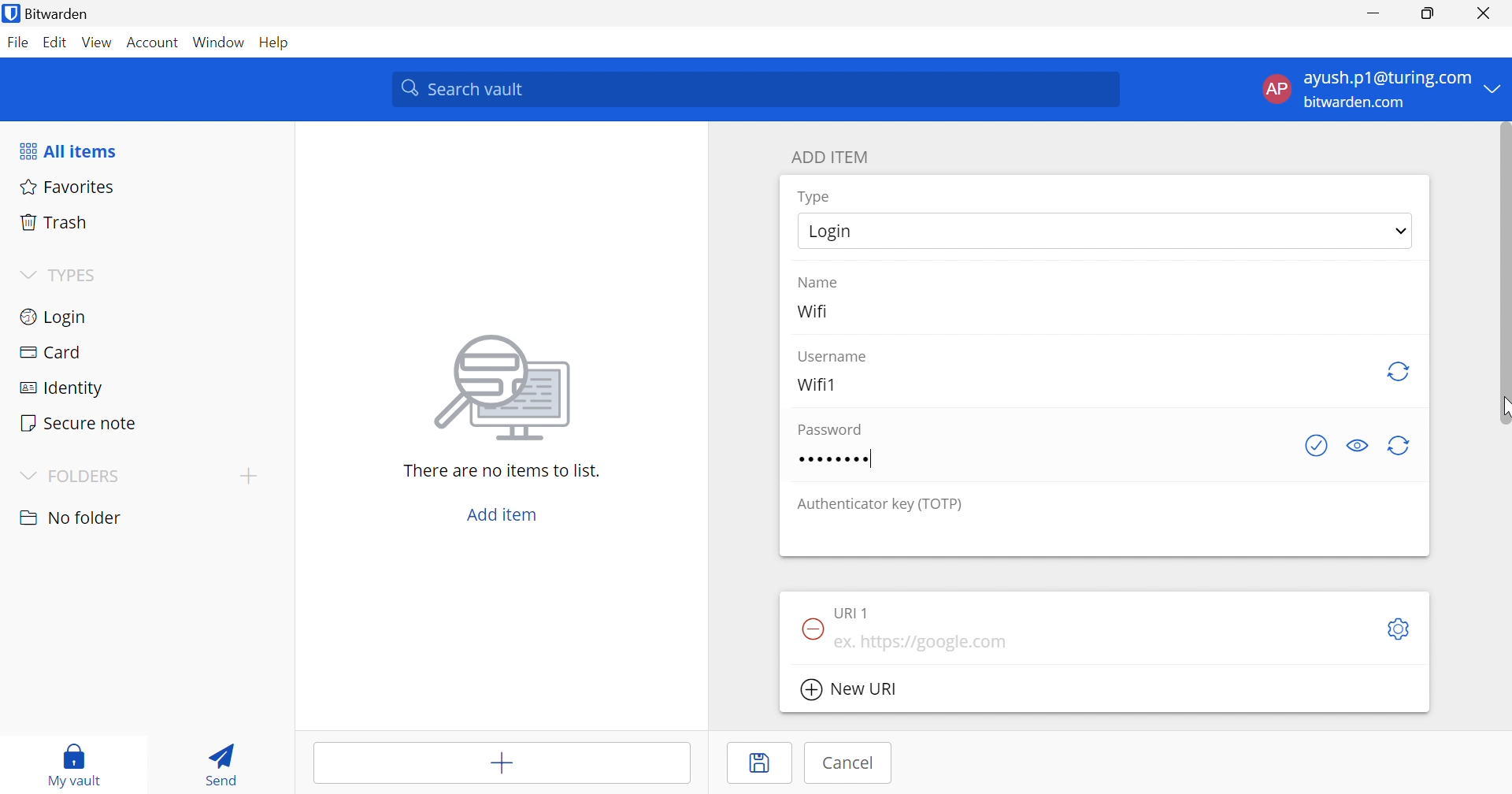 The height and width of the screenshot is (794, 1512). I want to click on ADD ITEM, so click(832, 157).